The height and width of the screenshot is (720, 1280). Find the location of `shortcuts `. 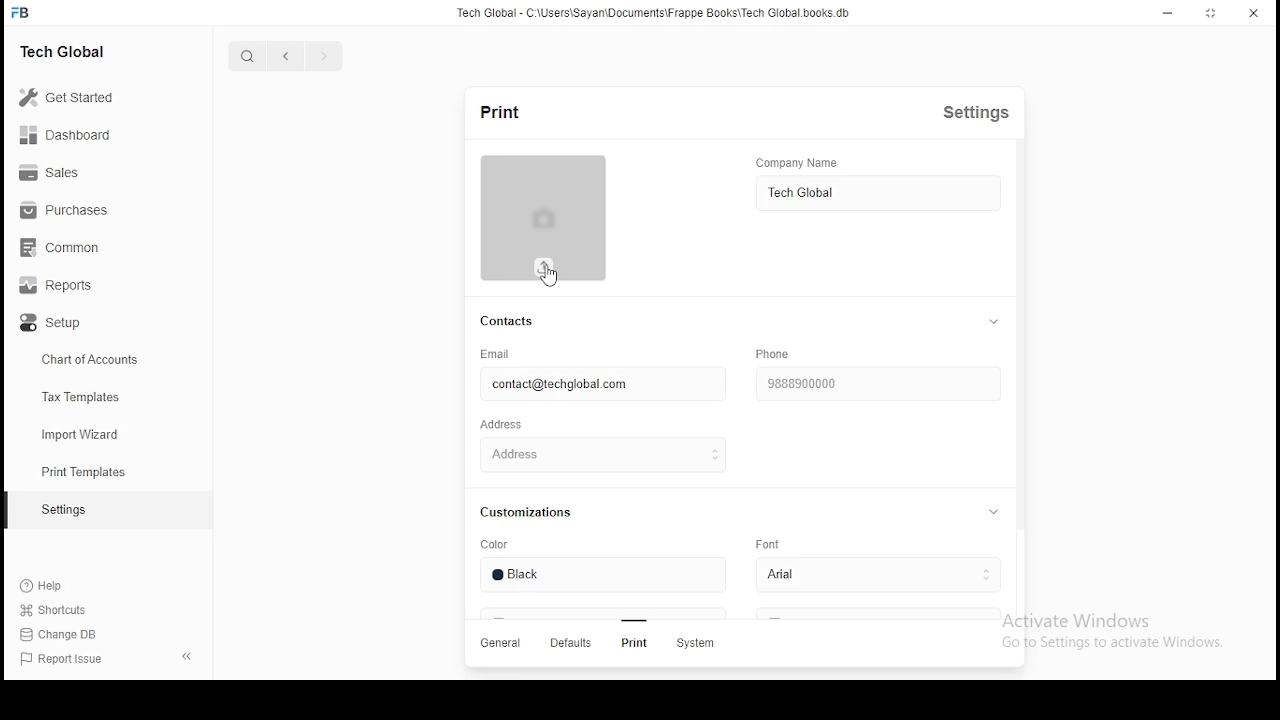

shortcuts  is located at coordinates (56, 613).